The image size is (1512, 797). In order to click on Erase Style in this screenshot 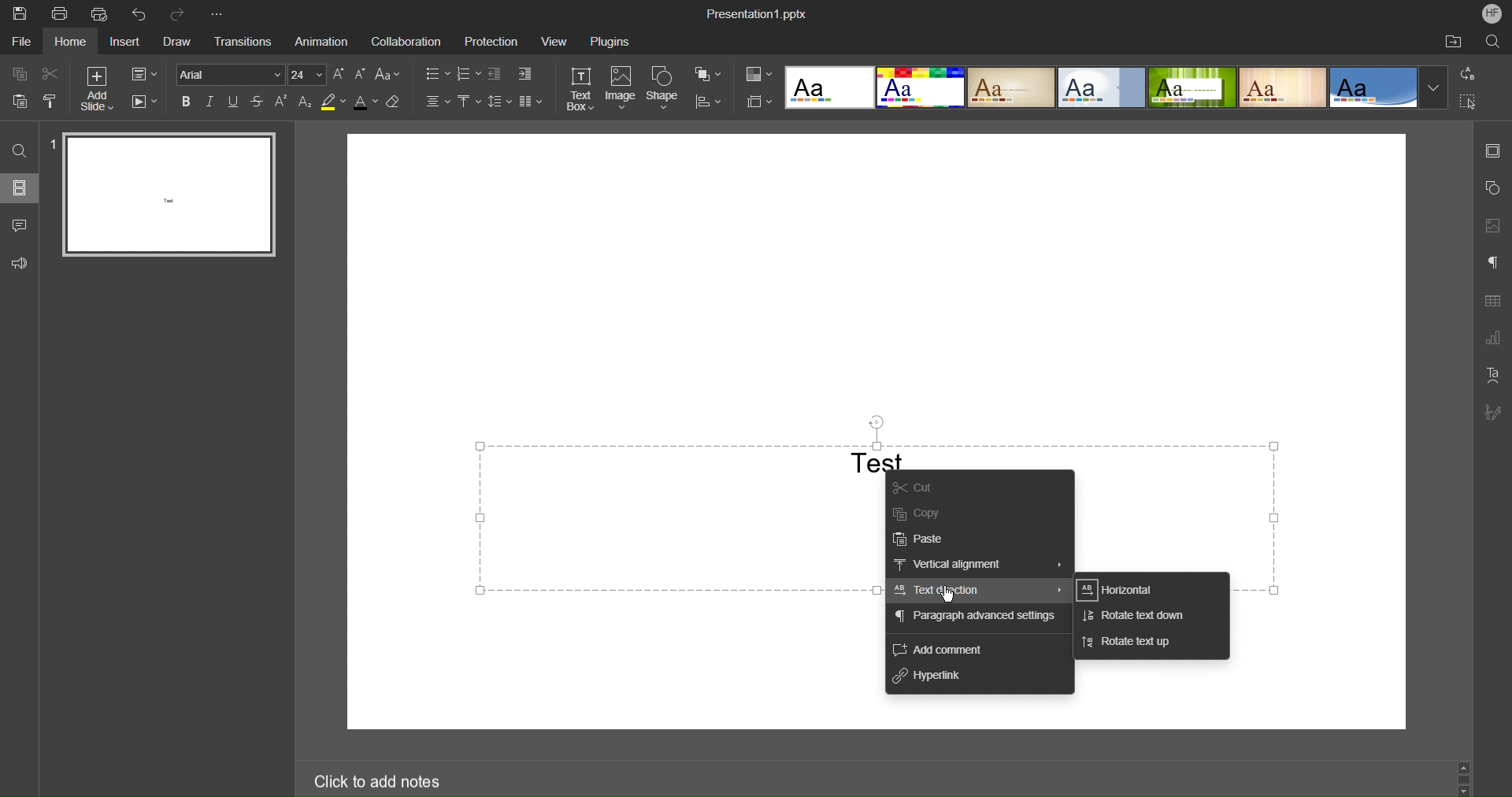, I will do `click(395, 102)`.